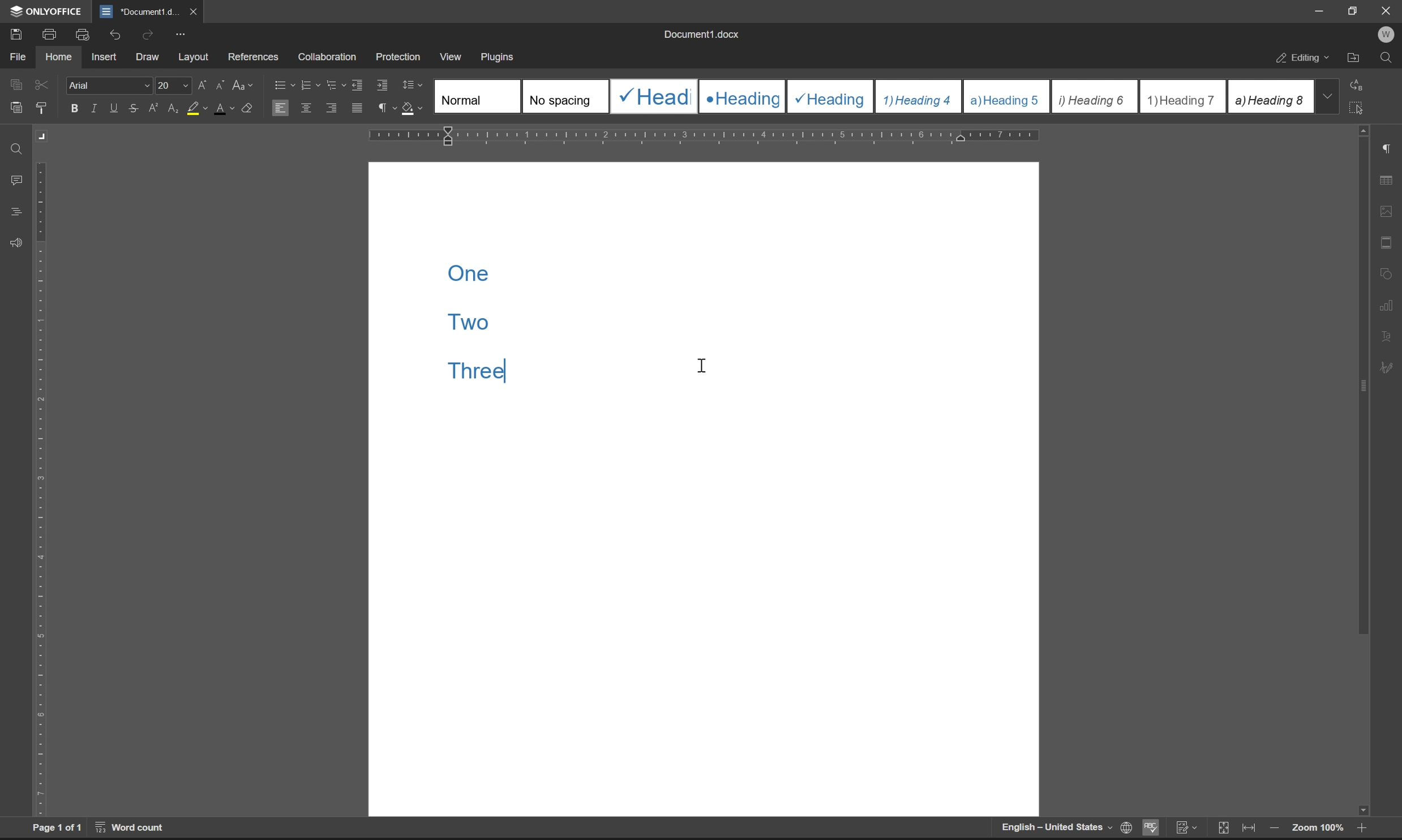 The image size is (1402, 840). Describe the element at coordinates (333, 107) in the screenshot. I see `align right` at that location.